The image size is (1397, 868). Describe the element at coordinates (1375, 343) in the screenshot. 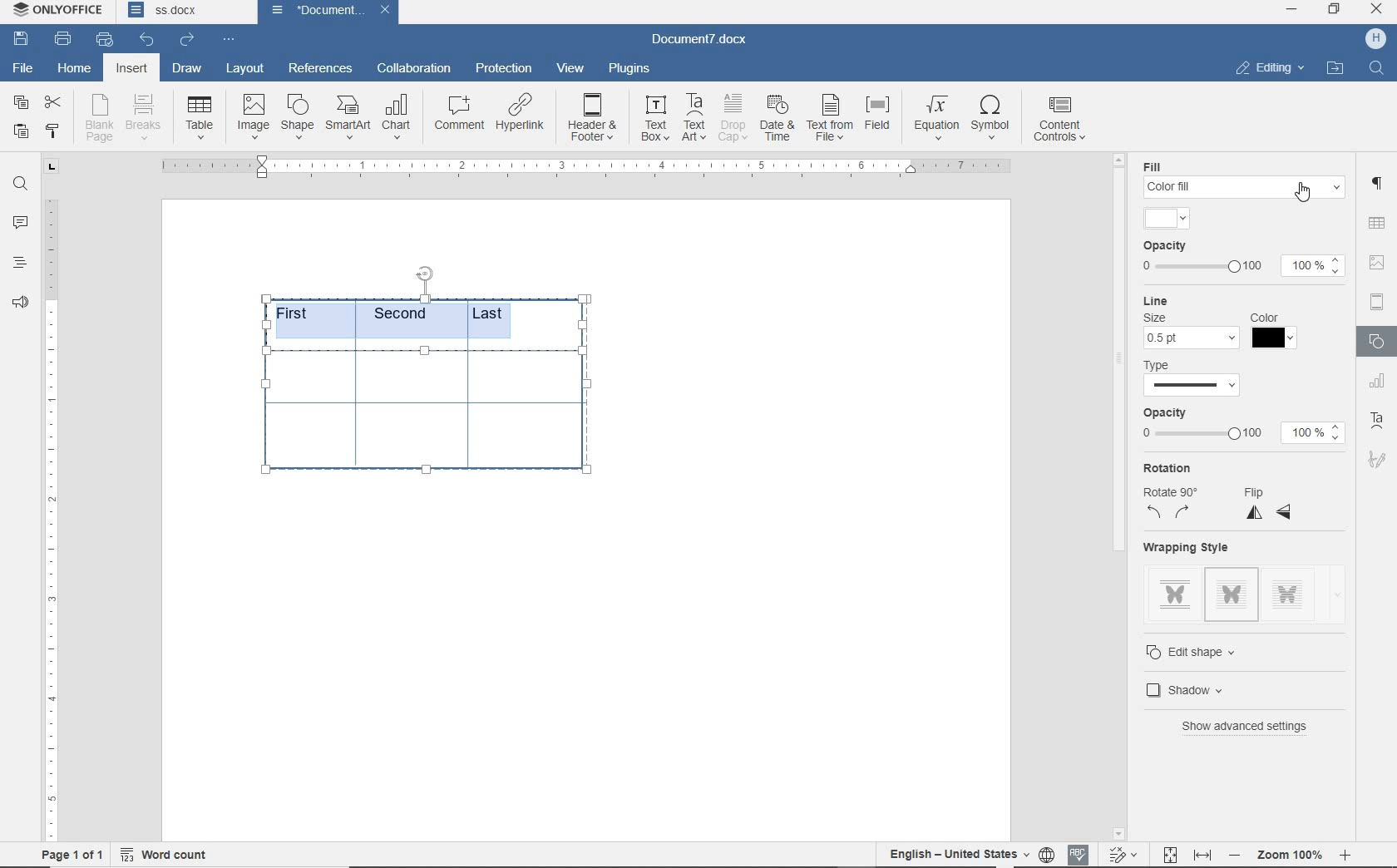

I see `shape settings` at that location.